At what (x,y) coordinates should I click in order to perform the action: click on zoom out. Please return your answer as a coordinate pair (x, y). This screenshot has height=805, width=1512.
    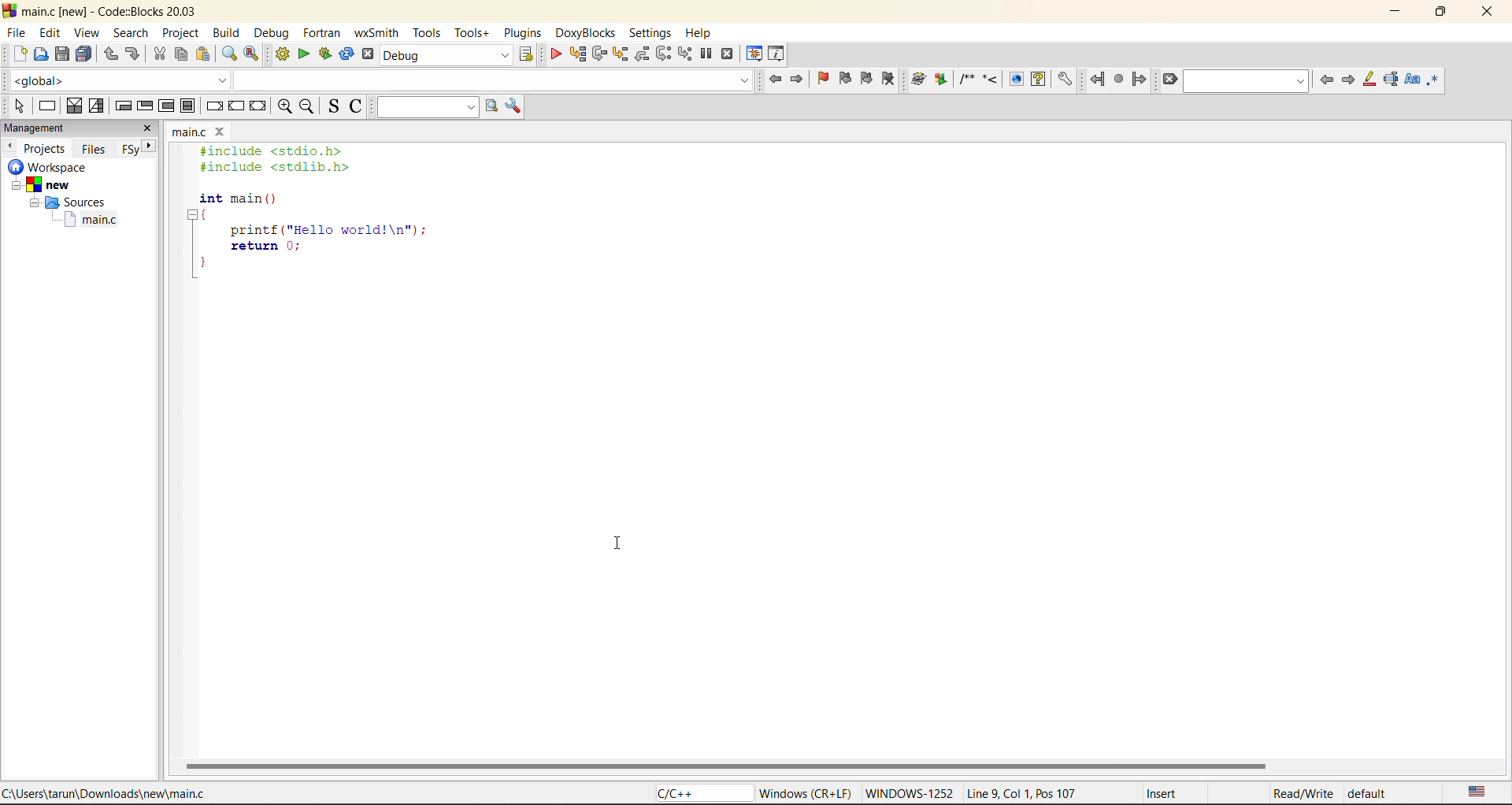
    Looking at the image, I should click on (311, 107).